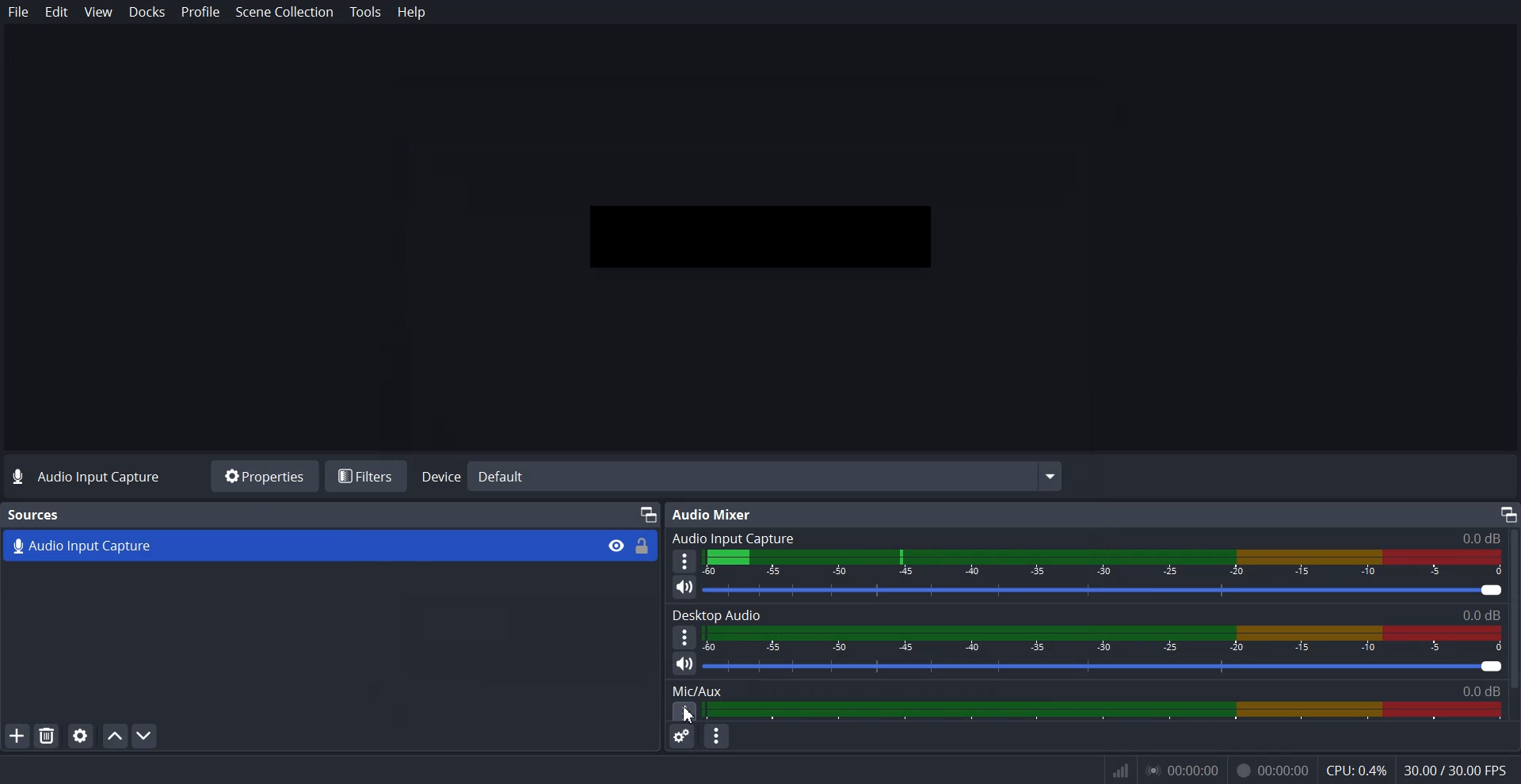 The height and width of the screenshot is (784, 1521). I want to click on Recording, so click(1272, 771).